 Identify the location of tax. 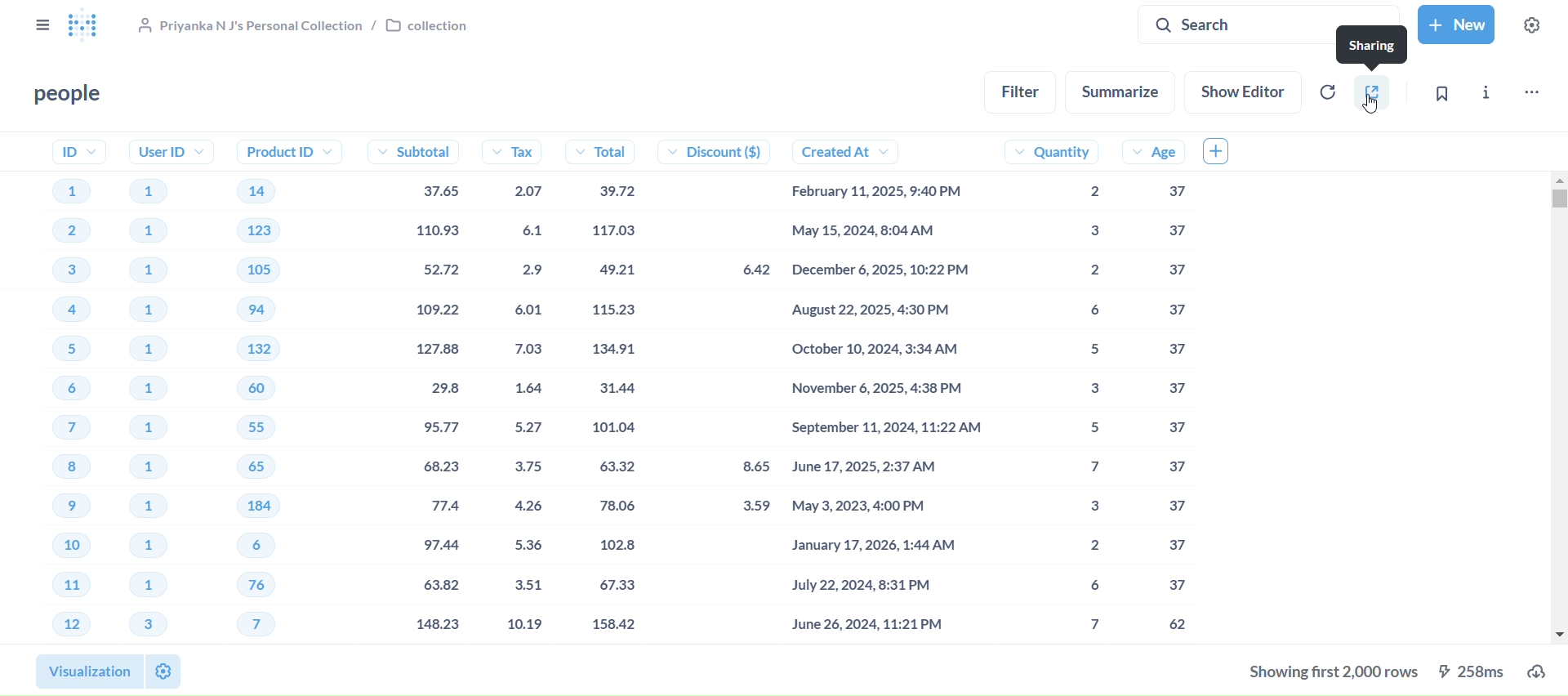
(521, 387).